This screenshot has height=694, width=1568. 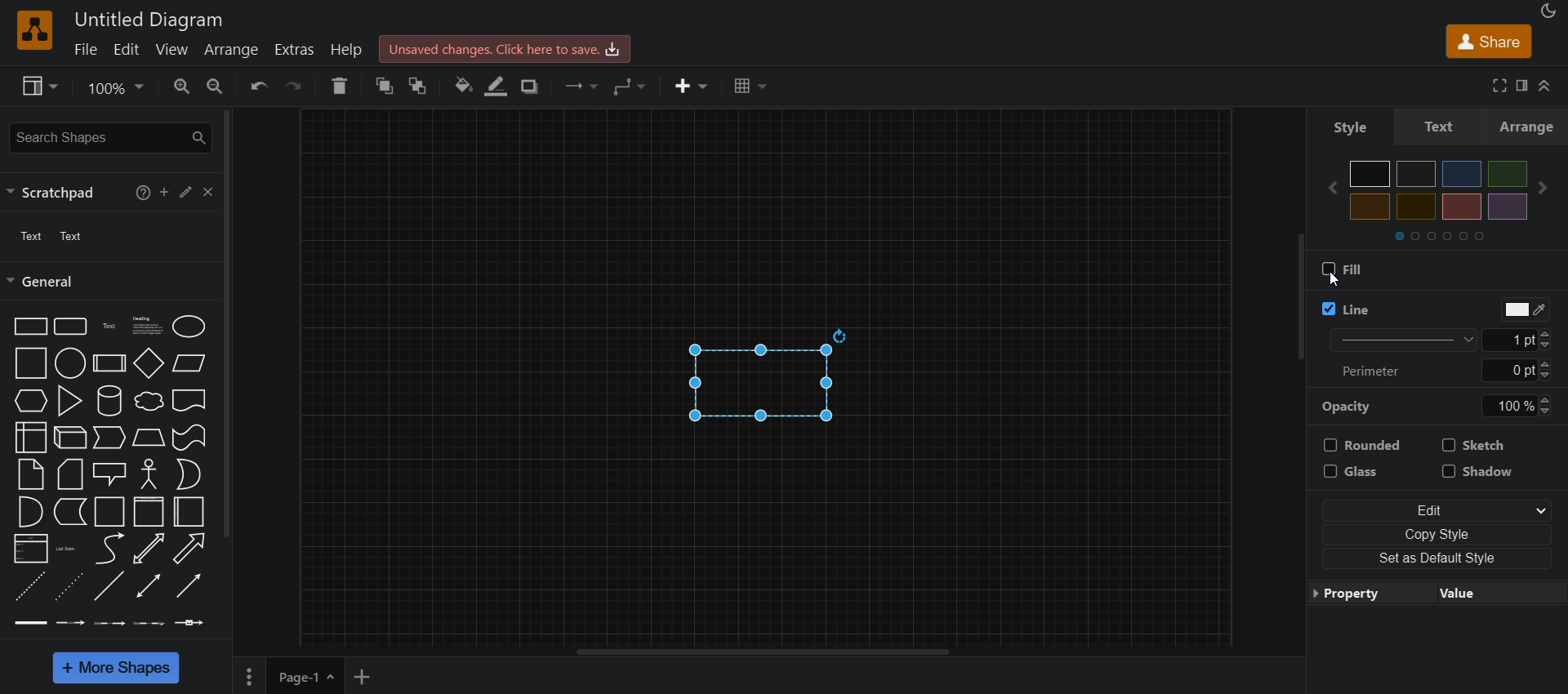 What do you see at coordinates (1442, 558) in the screenshot?
I see `set as default` at bounding box center [1442, 558].